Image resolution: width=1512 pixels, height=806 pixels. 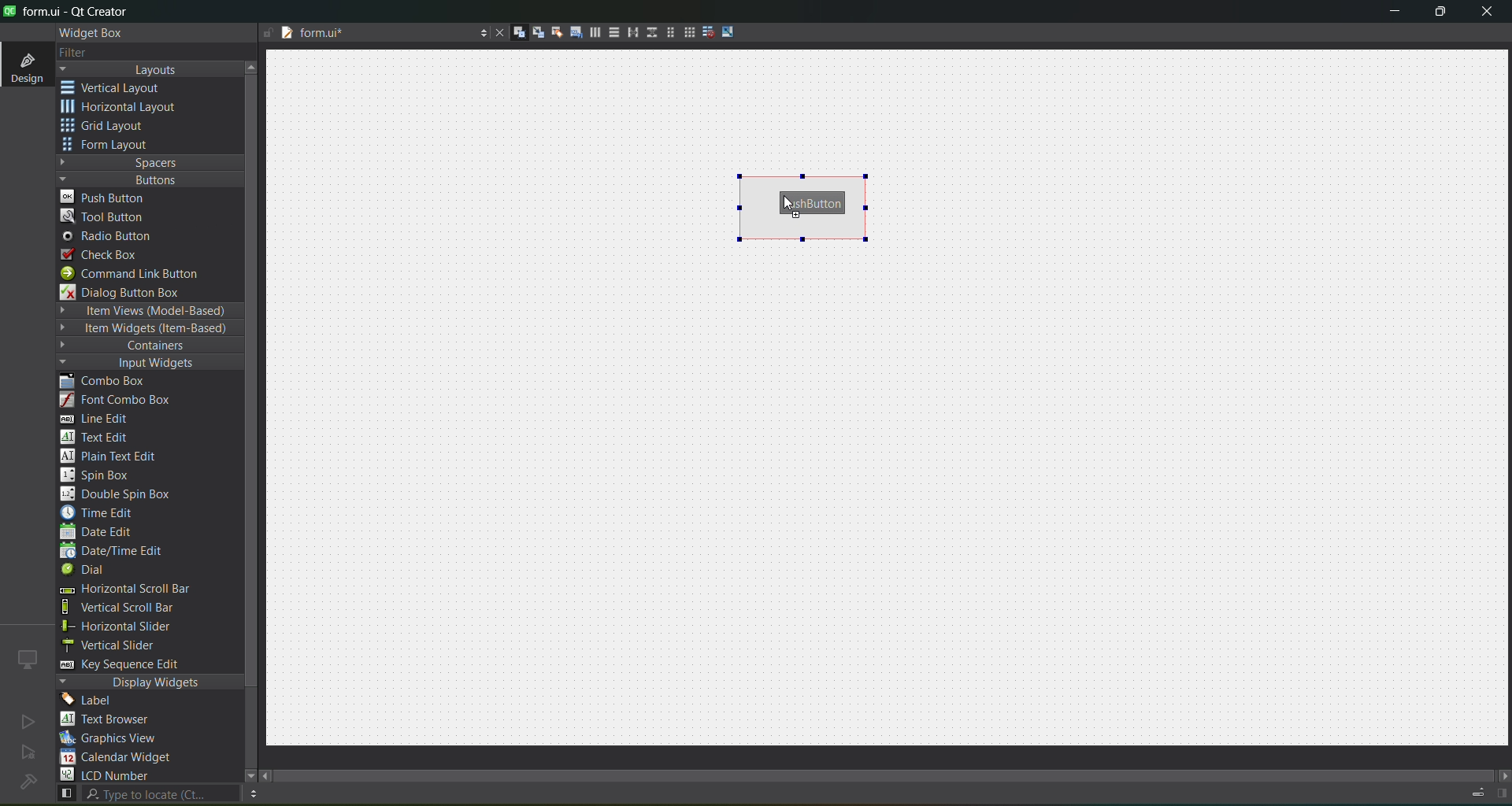 What do you see at coordinates (113, 128) in the screenshot?
I see `grid` at bounding box center [113, 128].